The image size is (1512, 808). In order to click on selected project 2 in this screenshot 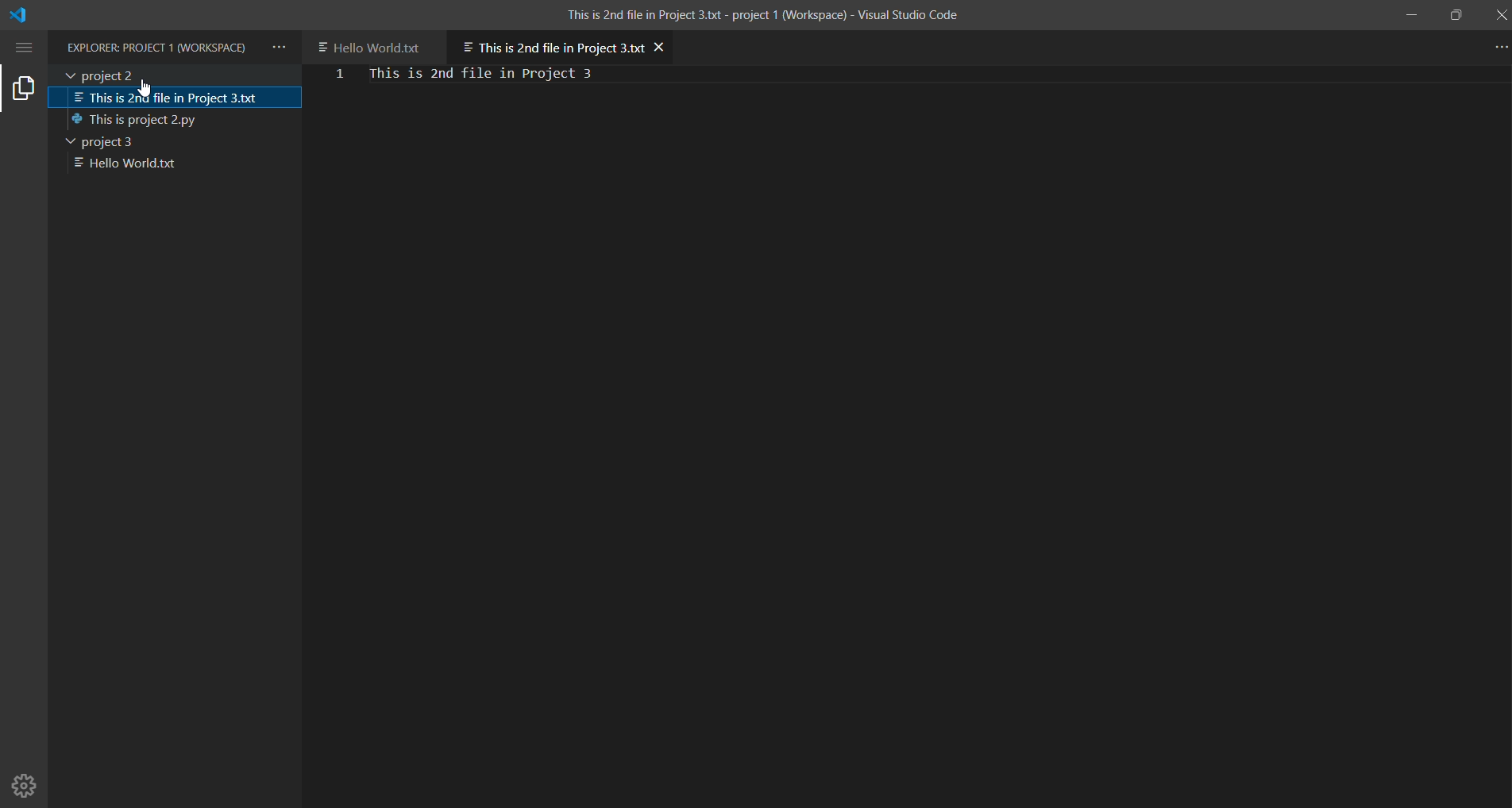, I will do `click(175, 75)`.